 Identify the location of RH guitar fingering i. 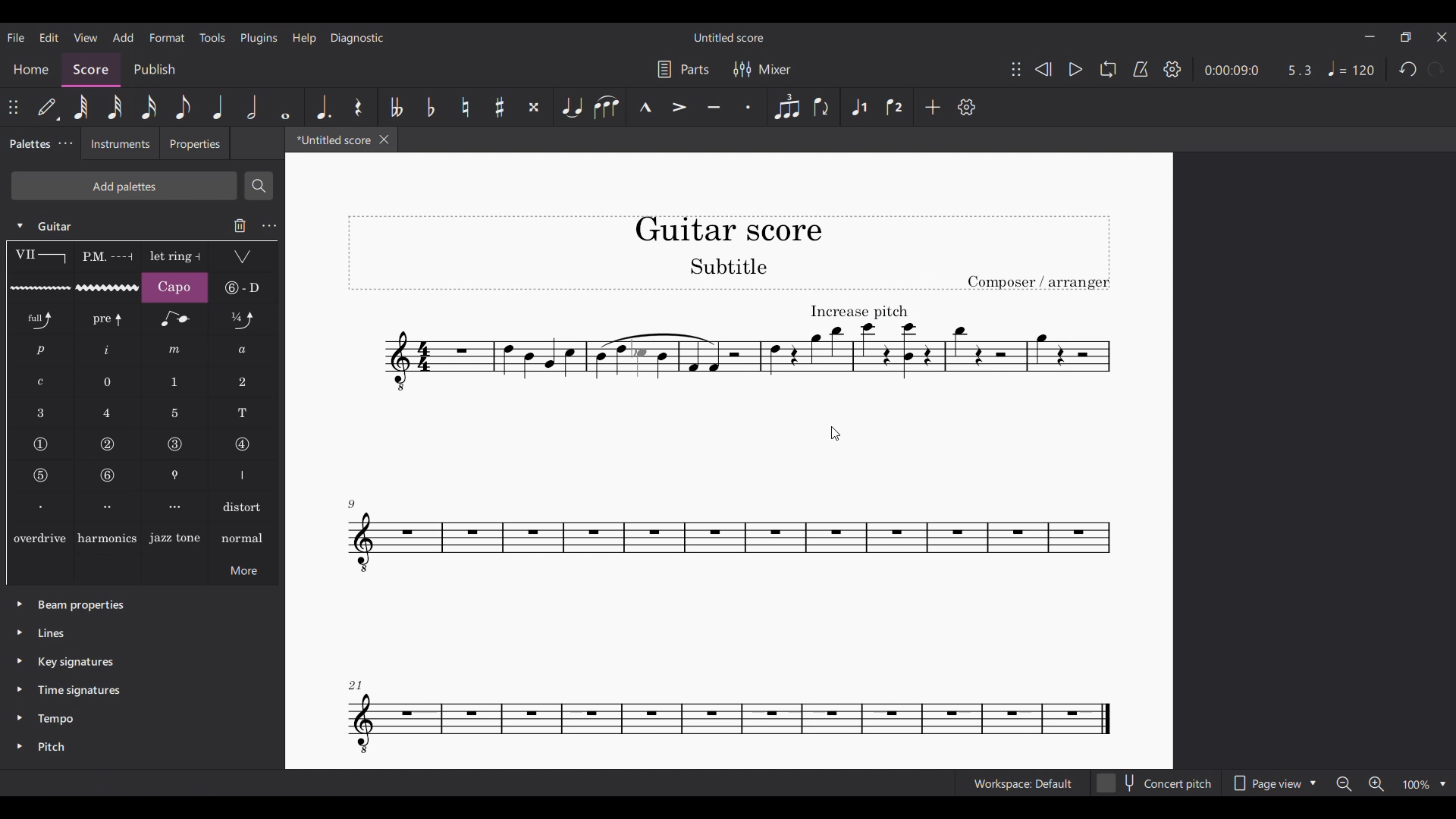
(108, 351).